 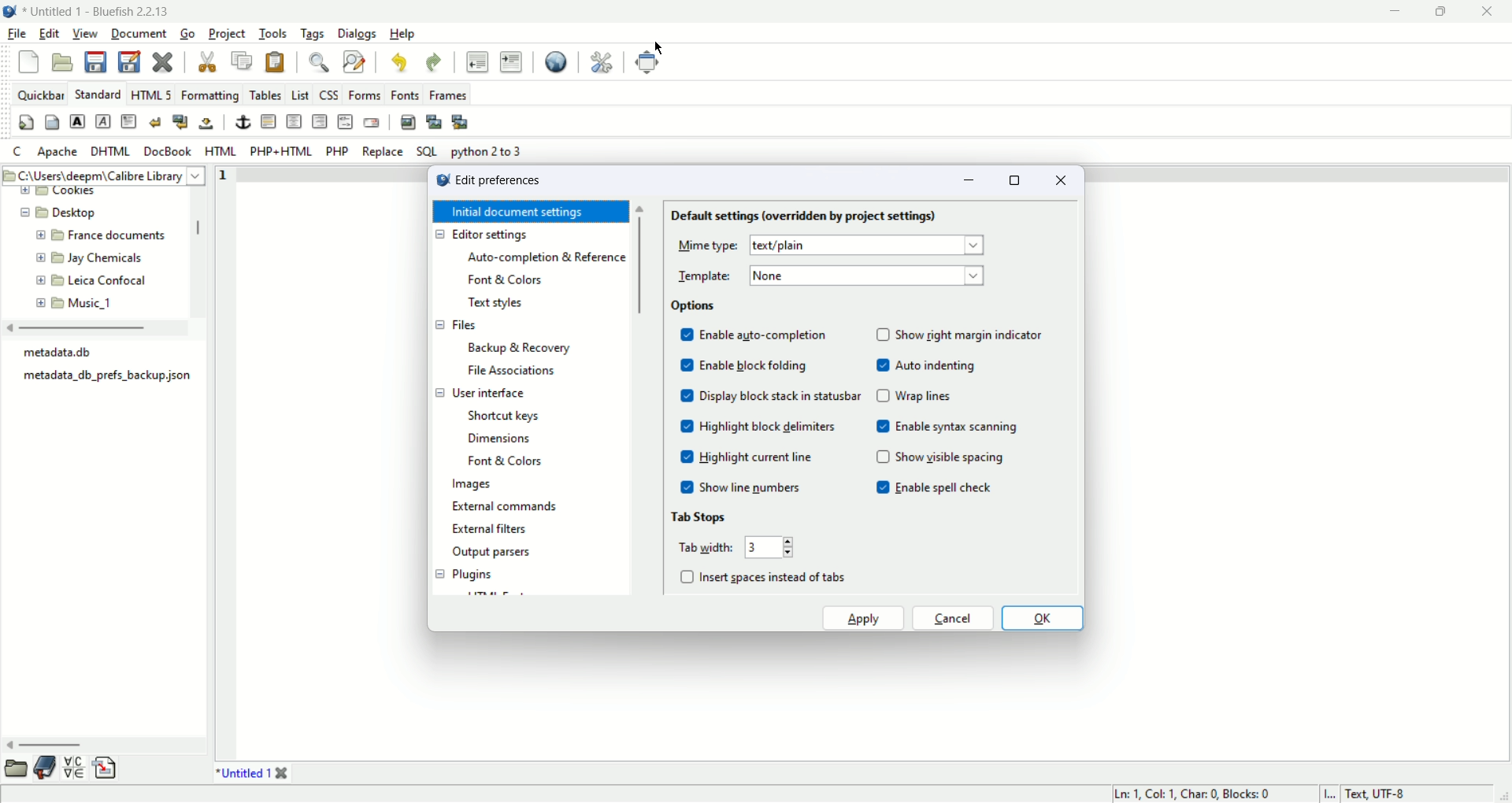 What do you see at coordinates (510, 61) in the screenshot?
I see `indent` at bounding box center [510, 61].